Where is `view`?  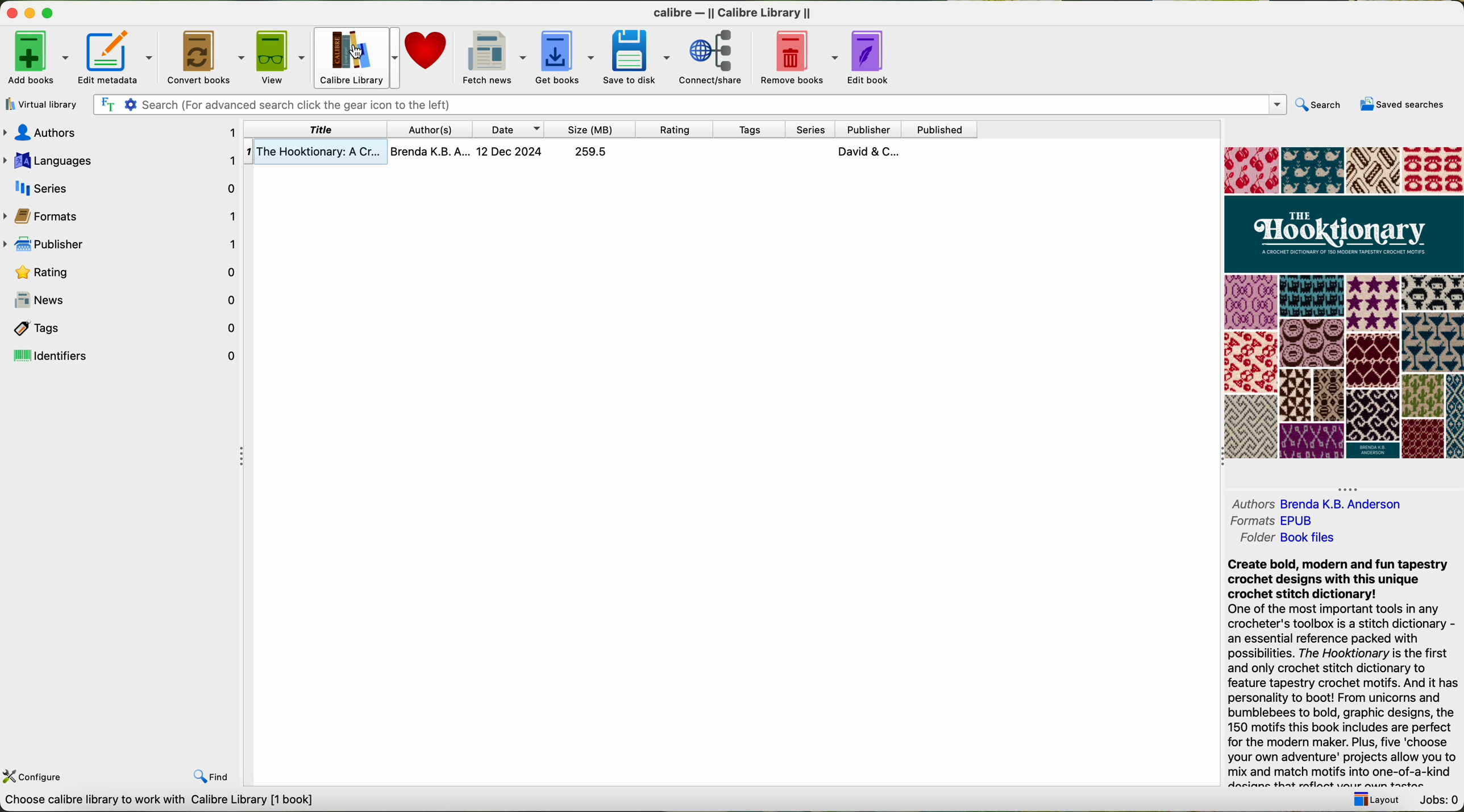 view is located at coordinates (279, 56).